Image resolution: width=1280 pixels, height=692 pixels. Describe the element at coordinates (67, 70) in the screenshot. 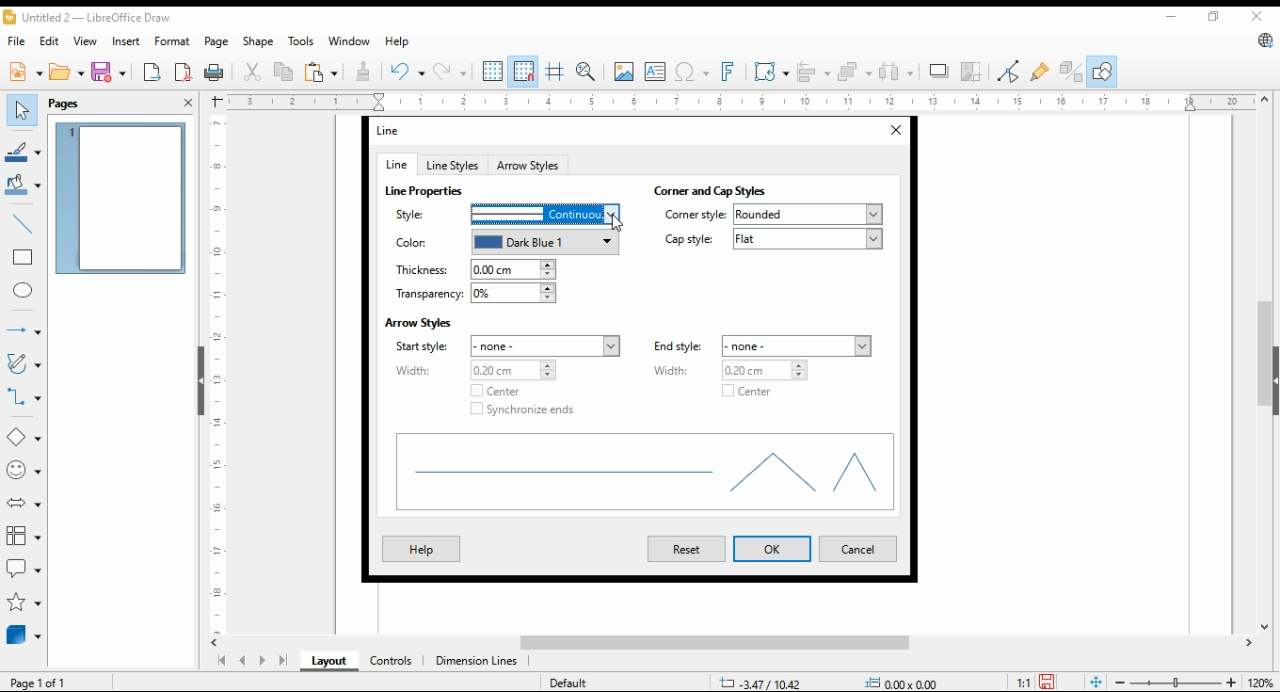

I see `open` at that location.